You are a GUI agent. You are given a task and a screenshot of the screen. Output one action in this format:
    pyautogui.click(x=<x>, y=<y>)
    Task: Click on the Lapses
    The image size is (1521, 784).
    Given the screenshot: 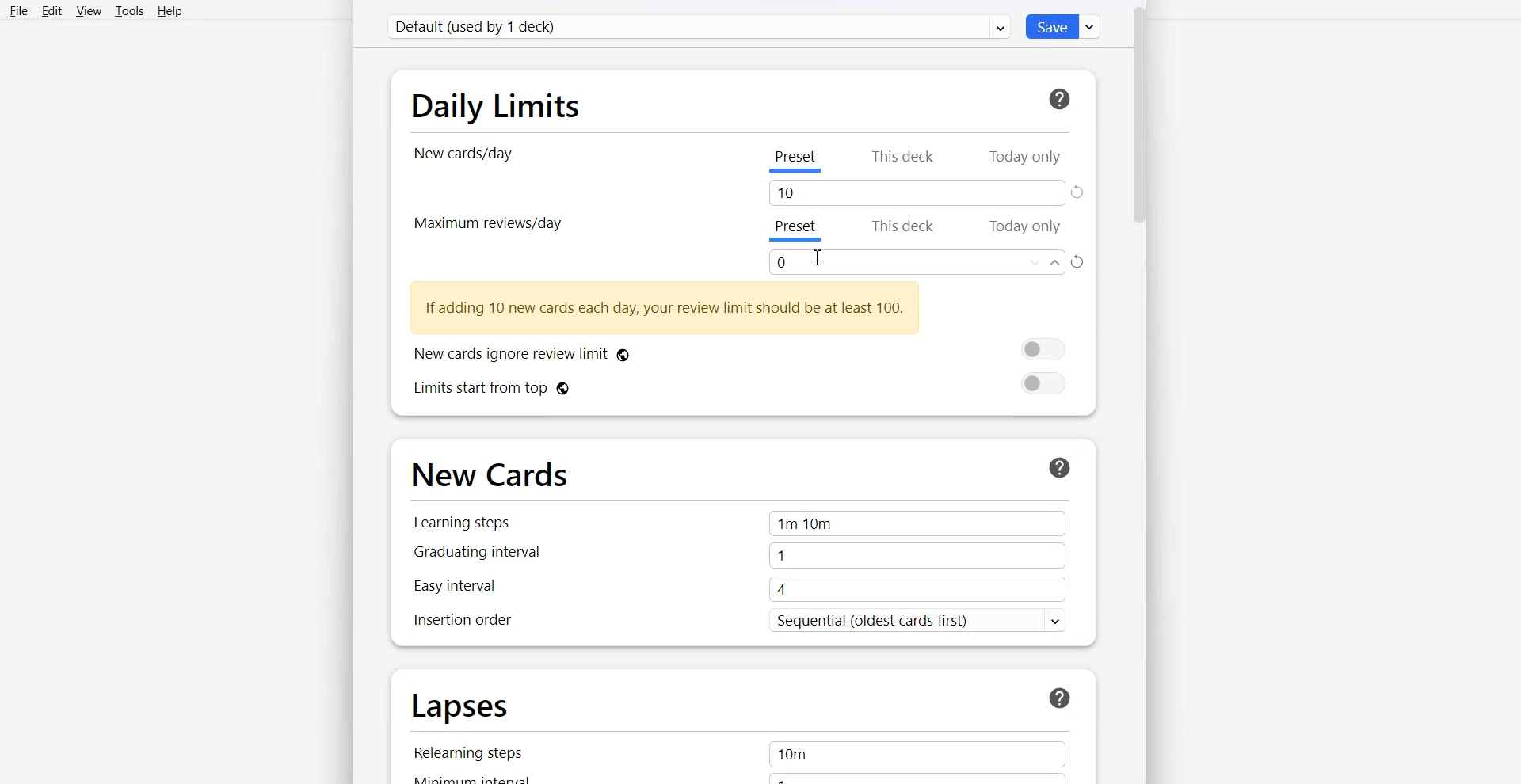 What is the action you would take?
    pyautogui.click(x=460, y=706)
    